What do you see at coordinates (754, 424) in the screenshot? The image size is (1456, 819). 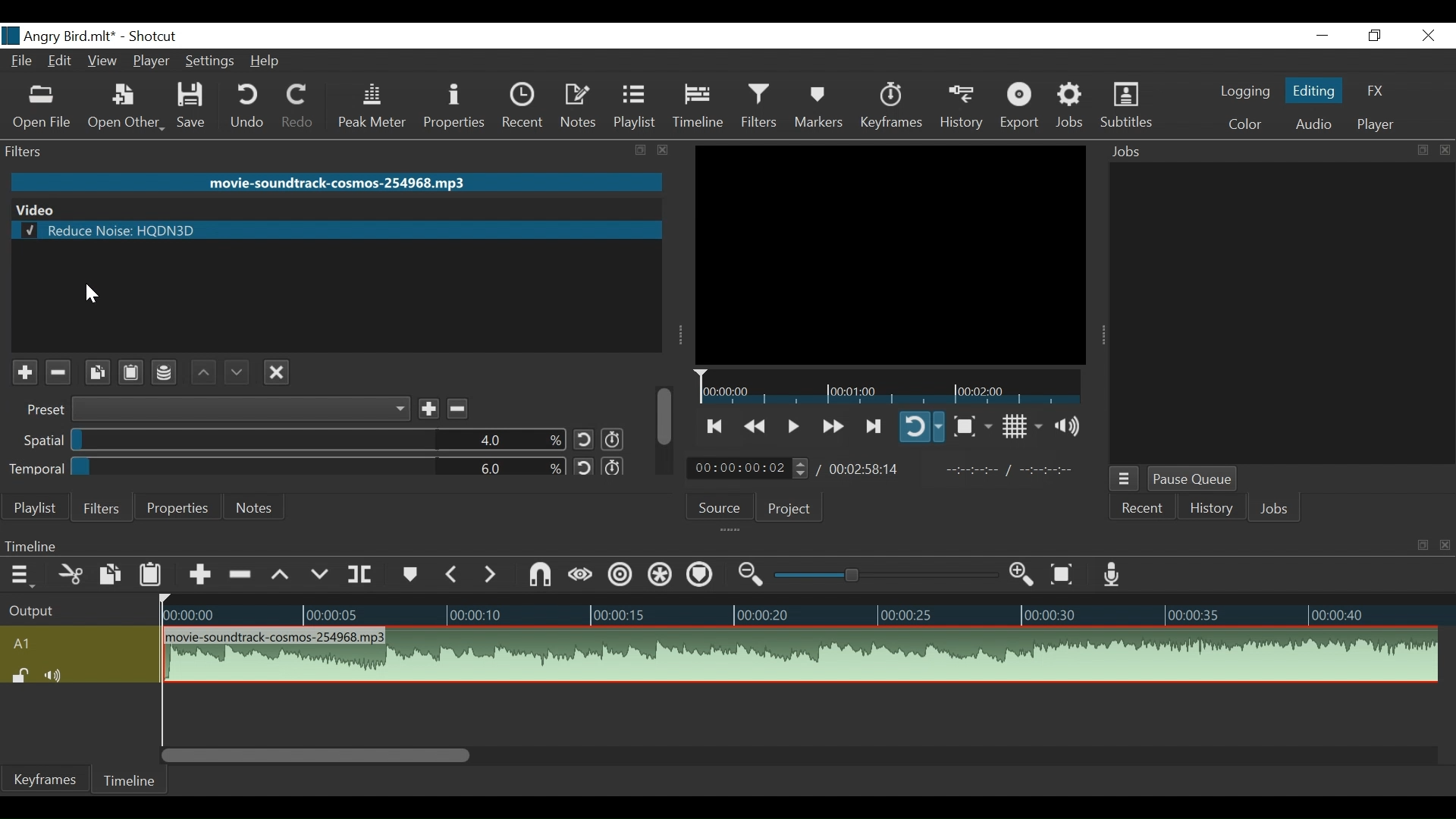 I see `Play quickly backward` at bounding box center [754, 424].